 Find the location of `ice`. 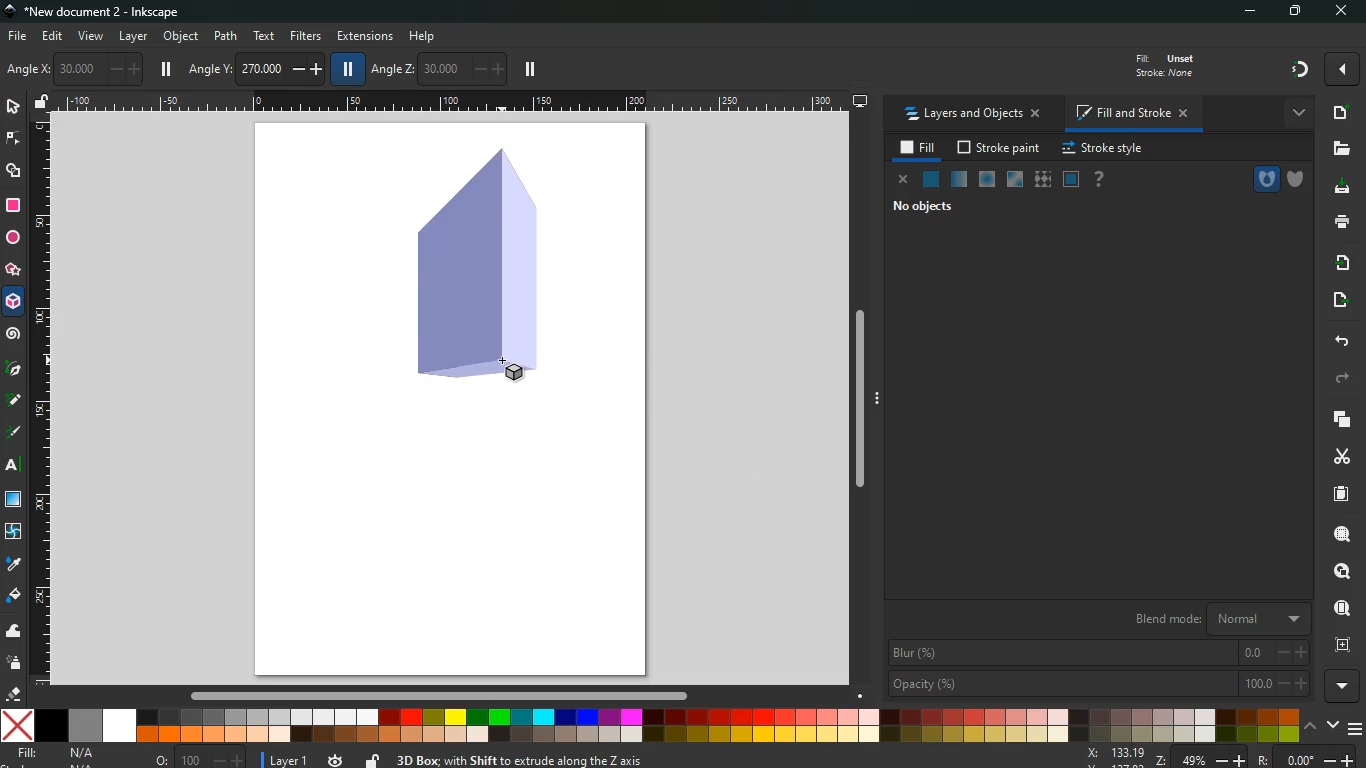

ice is located at coordinates (985, 181).